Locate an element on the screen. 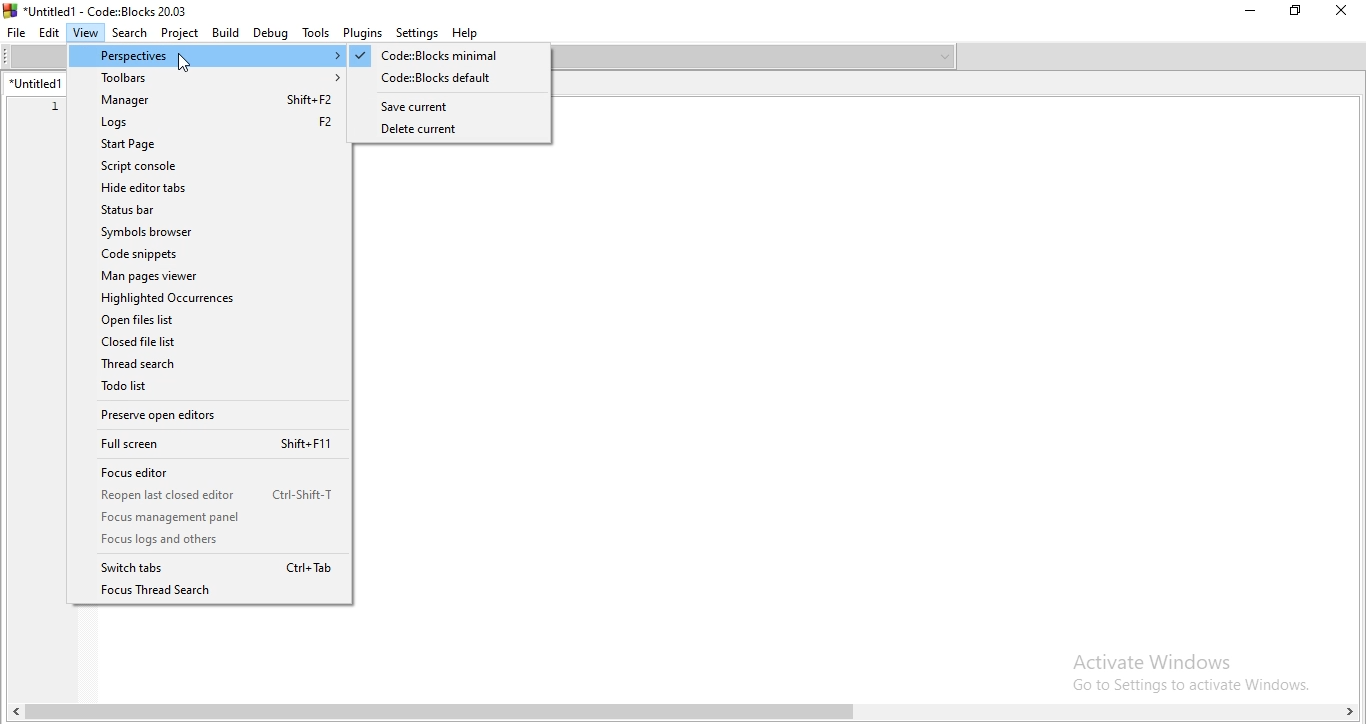 The height and width of the screenshot is (724, 1366). Manager is located at coordinates (209, 100).